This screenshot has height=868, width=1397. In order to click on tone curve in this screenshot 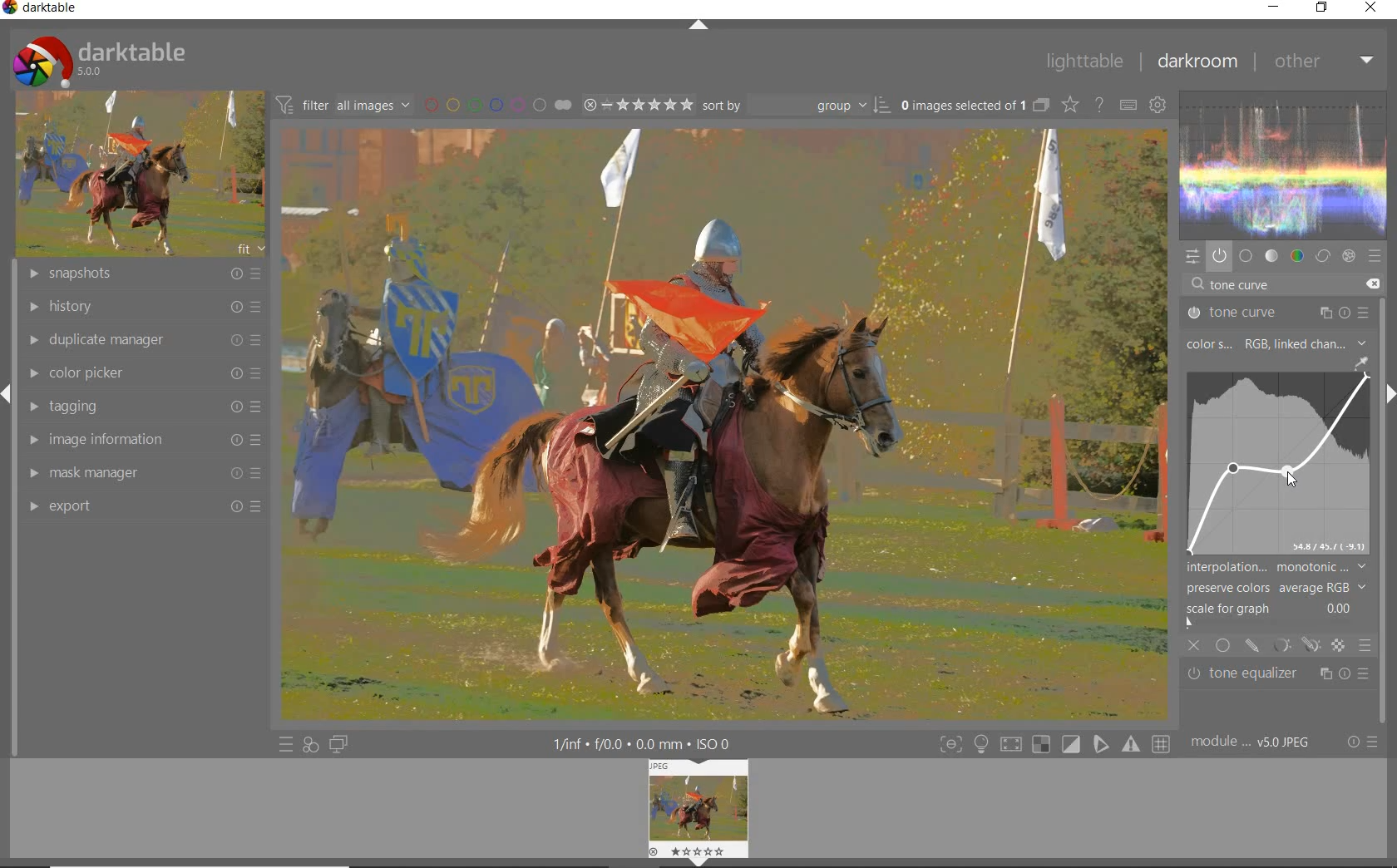, I will do `click(1272, 462)`.